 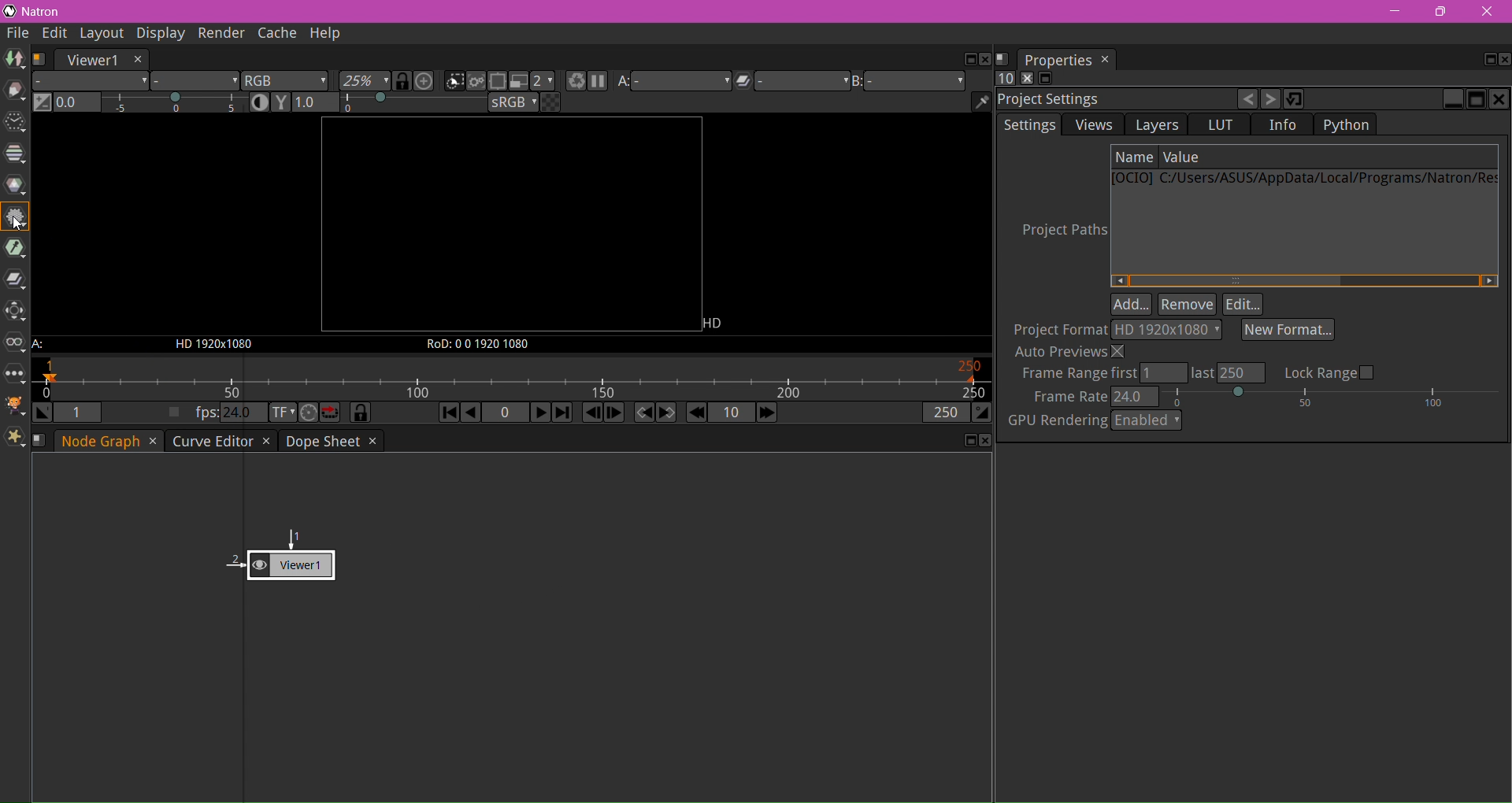 I want to click on Clips the portion of the image displayed on the viewer to the input stream format, so click(x=454, y=82).